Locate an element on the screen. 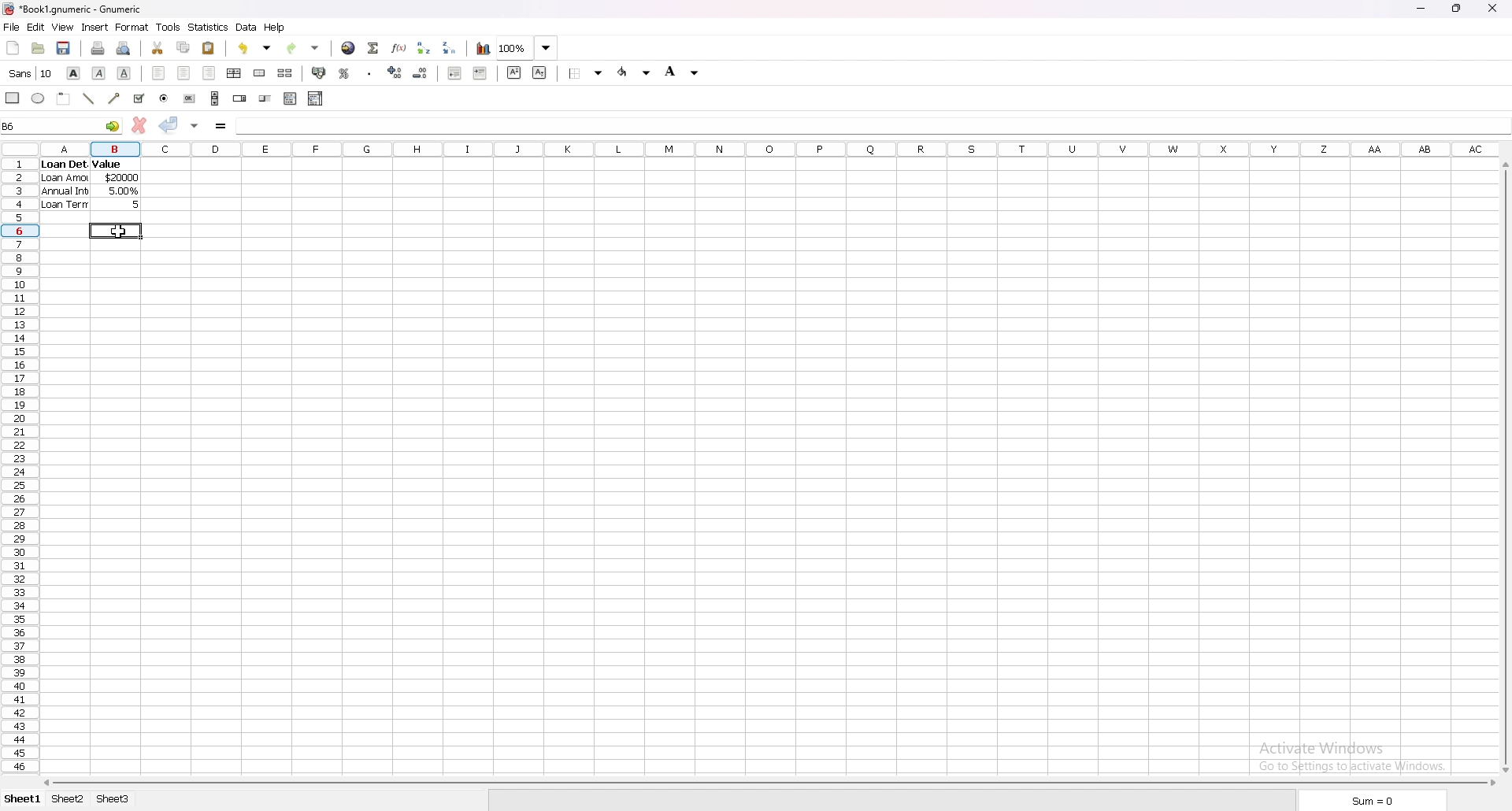  copy is located at coordinates (183, 48).